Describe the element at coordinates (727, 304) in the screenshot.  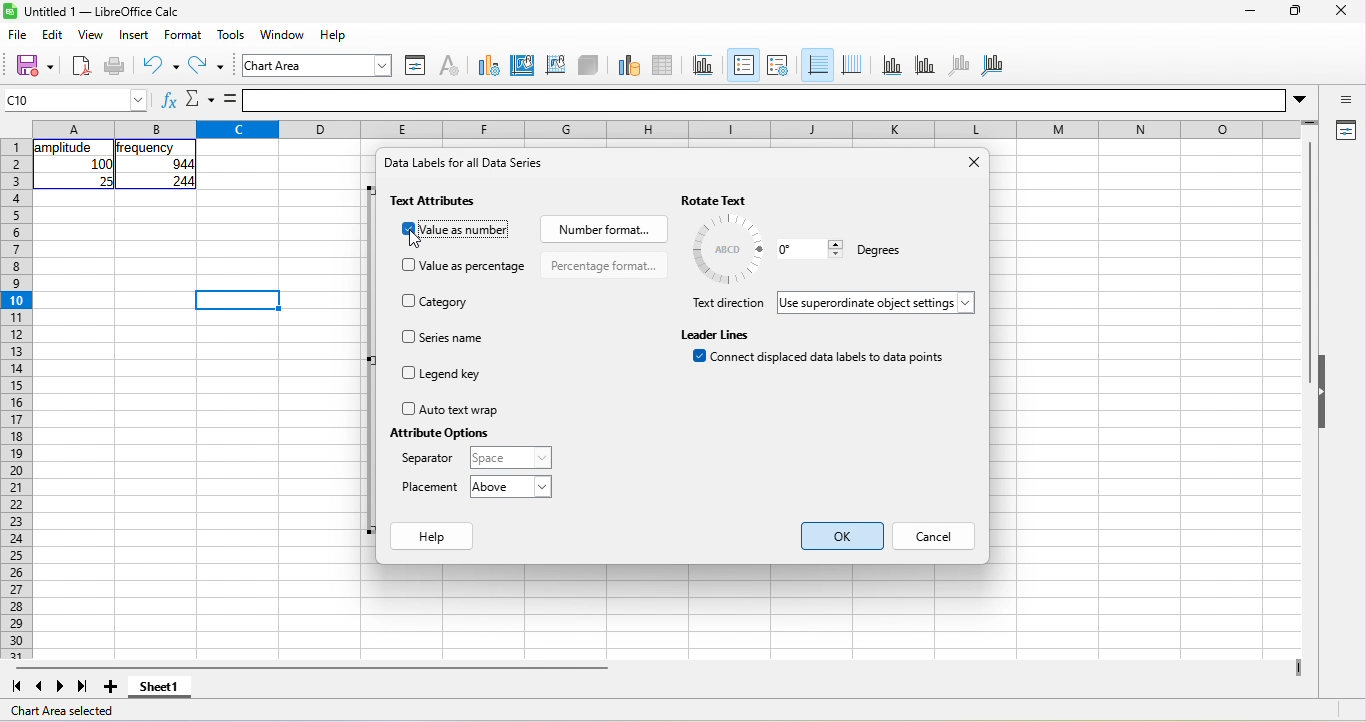
I see `text direction` at that location.